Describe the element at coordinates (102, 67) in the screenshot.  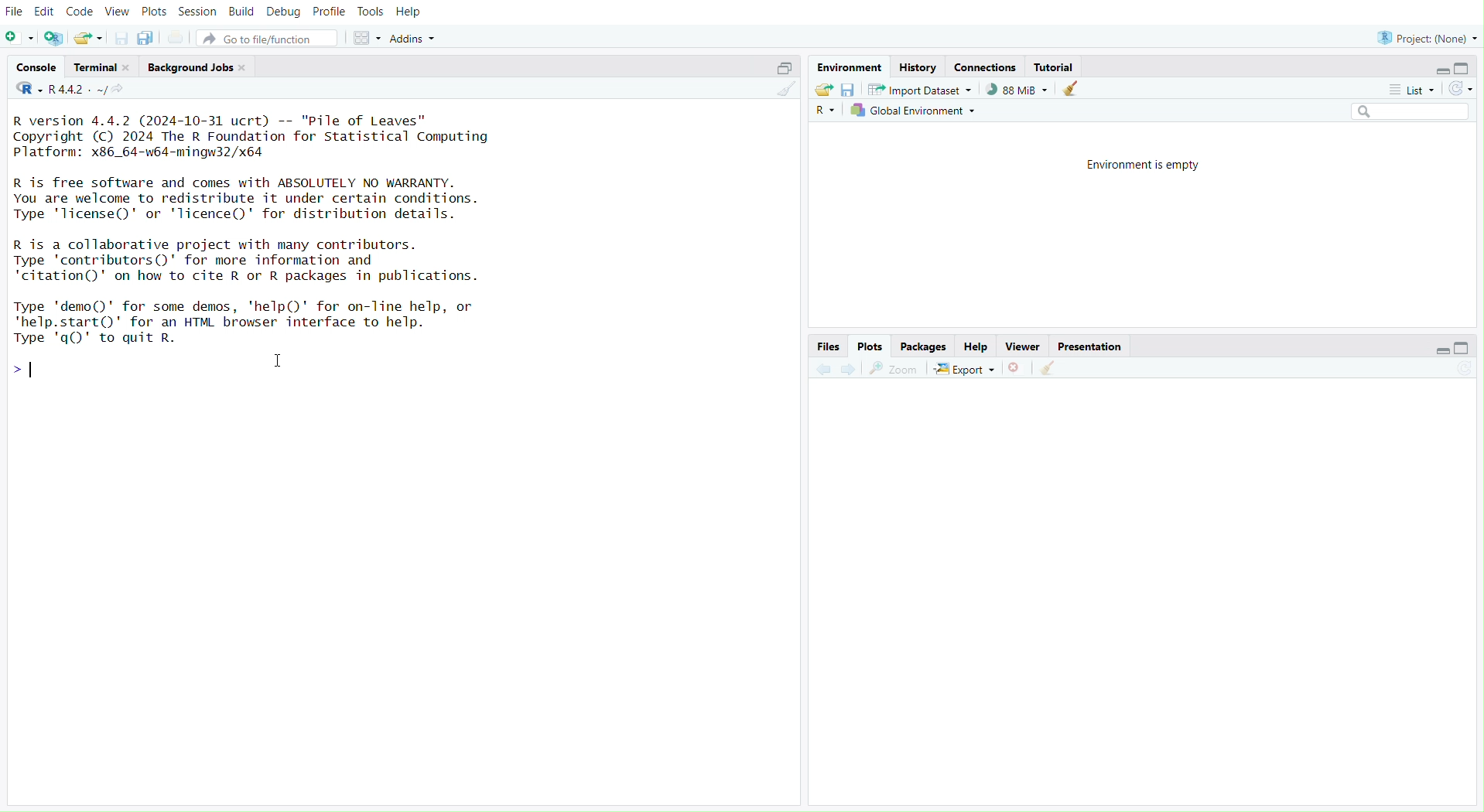
I see `Terminal` at that location.